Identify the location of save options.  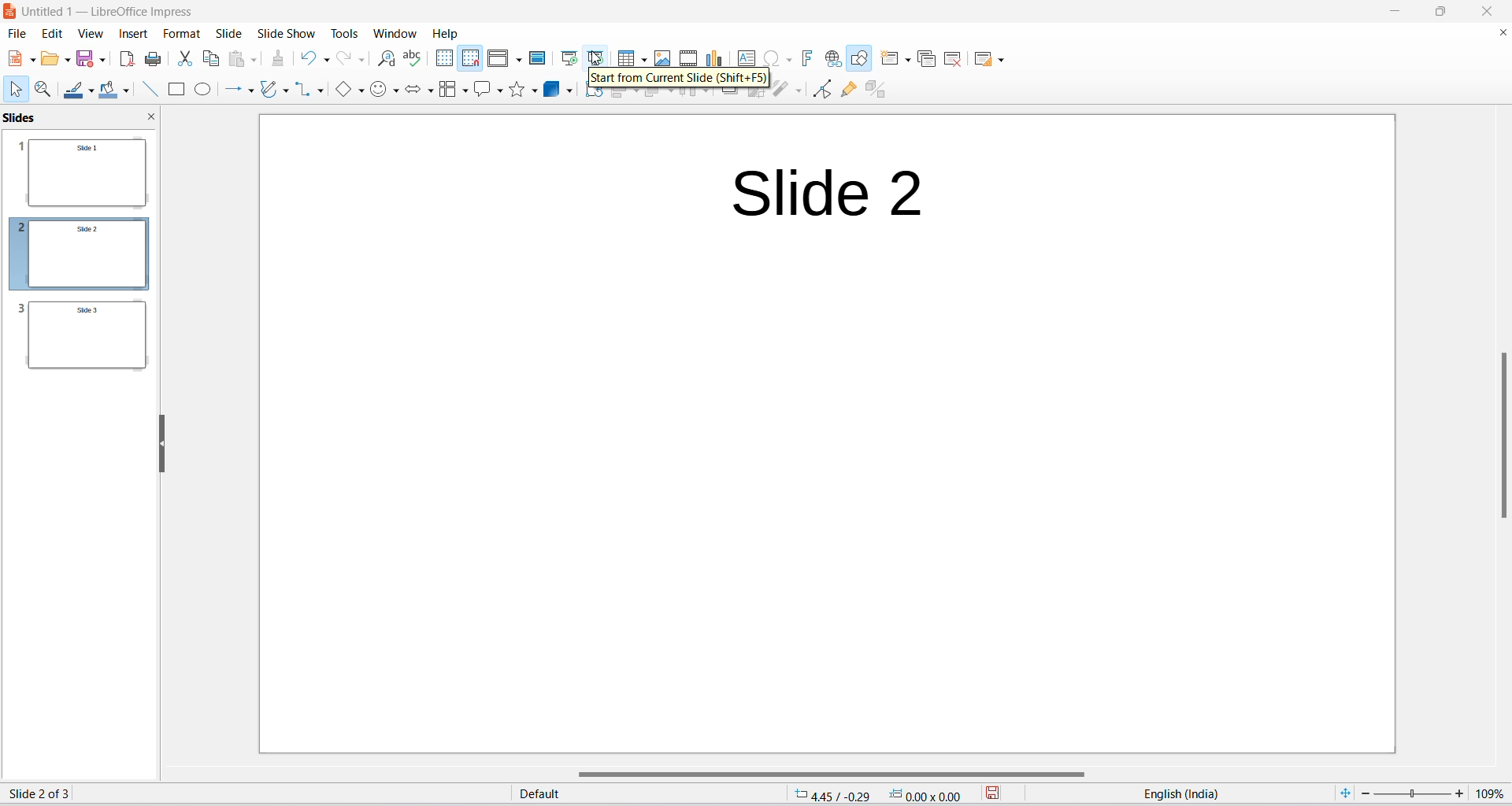
(102, 59).